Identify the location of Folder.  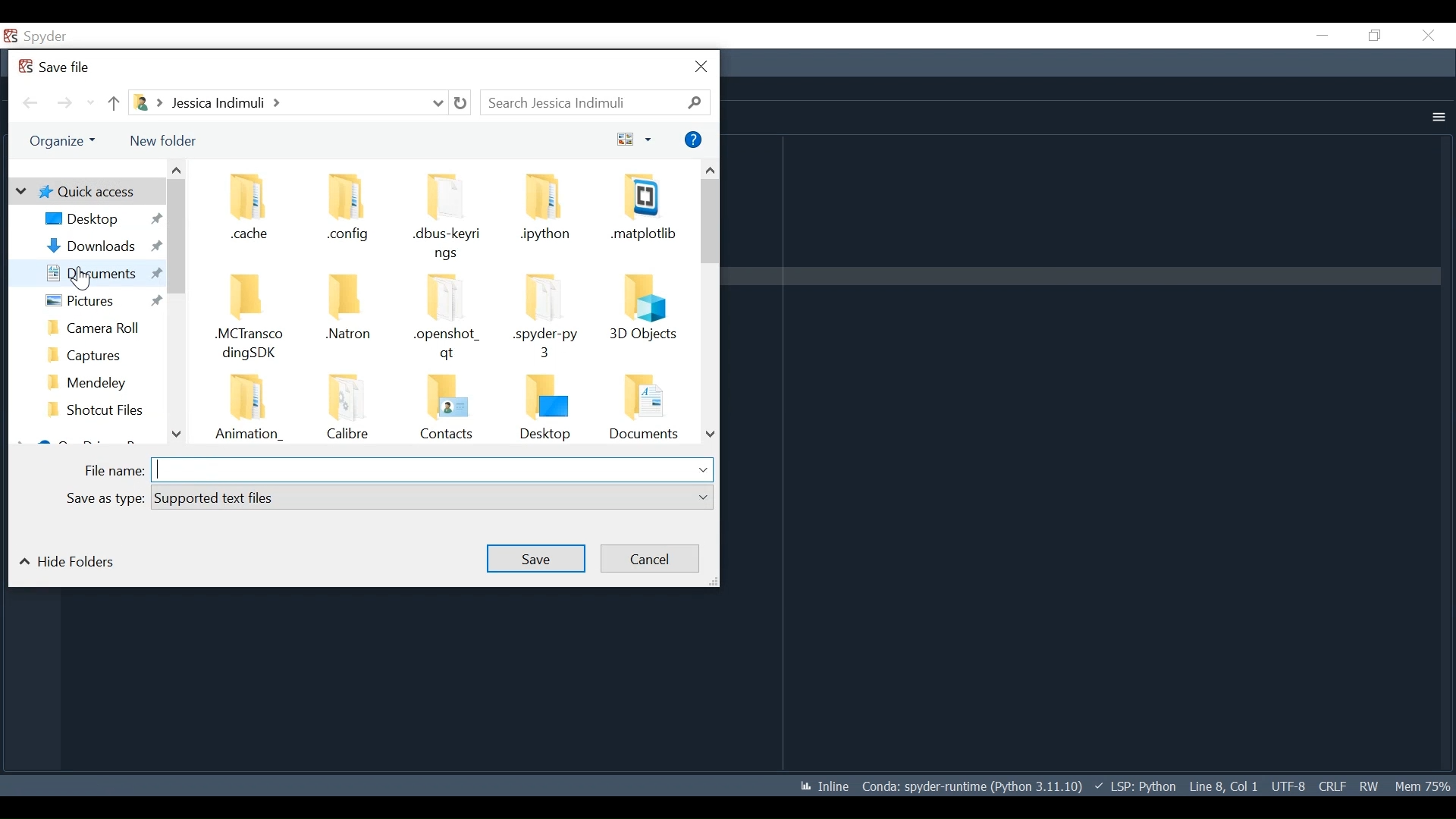
(345, 409).